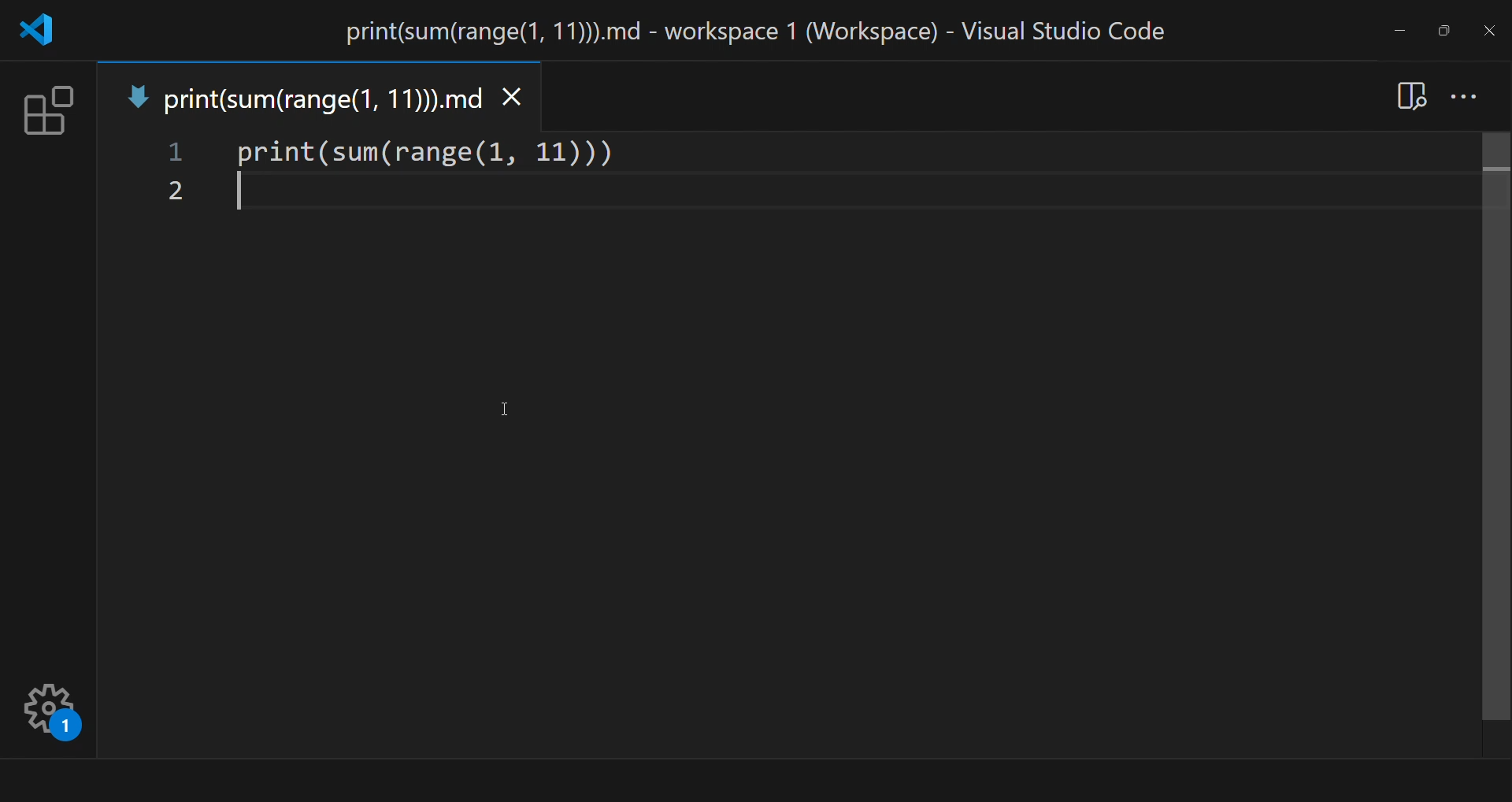  Describe the element at coordinates (428, 151) in the screenshot. I see `code` at that location.